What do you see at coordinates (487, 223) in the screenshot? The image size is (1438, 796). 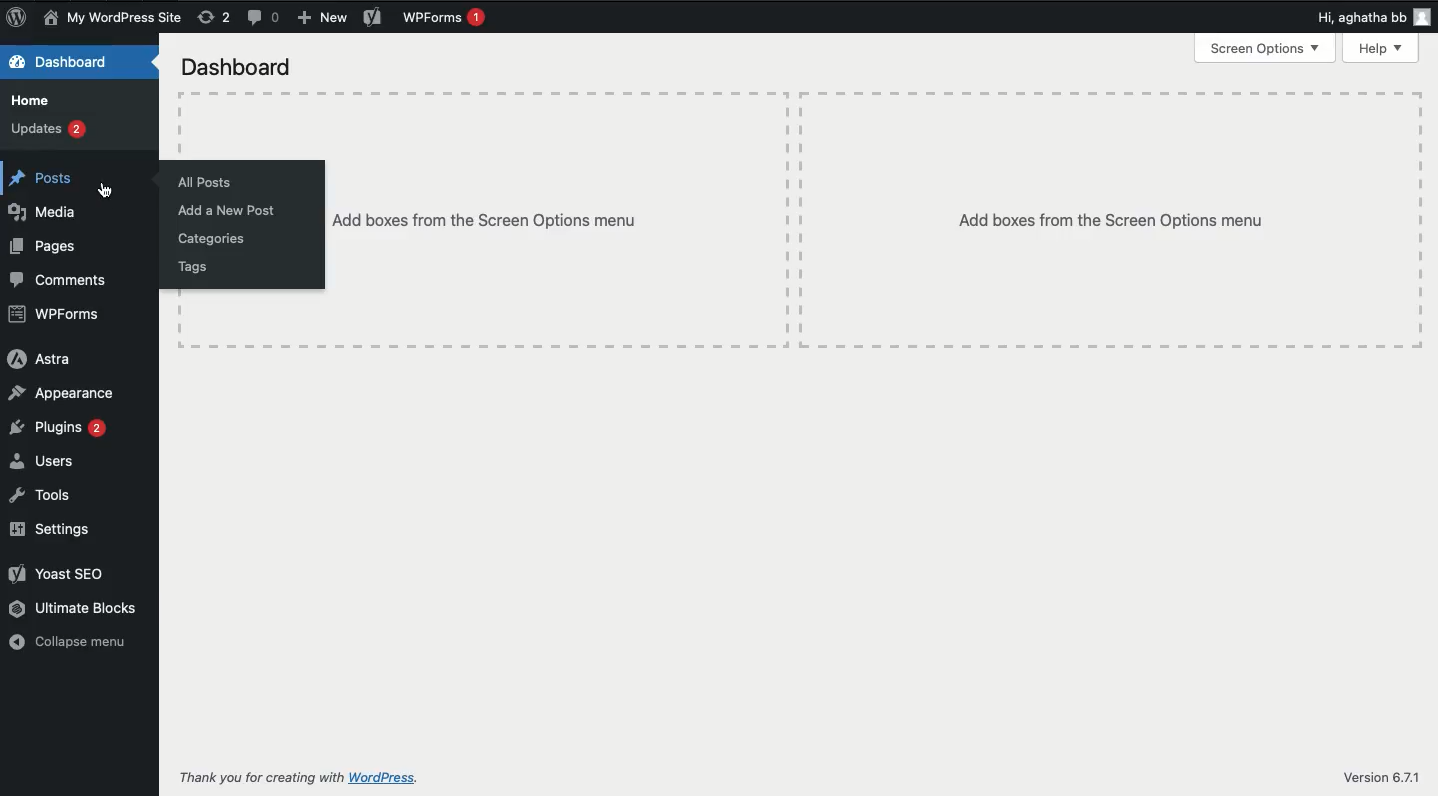 I see `Add boxes from the Screen options menu` at bounding box center [487, 223].